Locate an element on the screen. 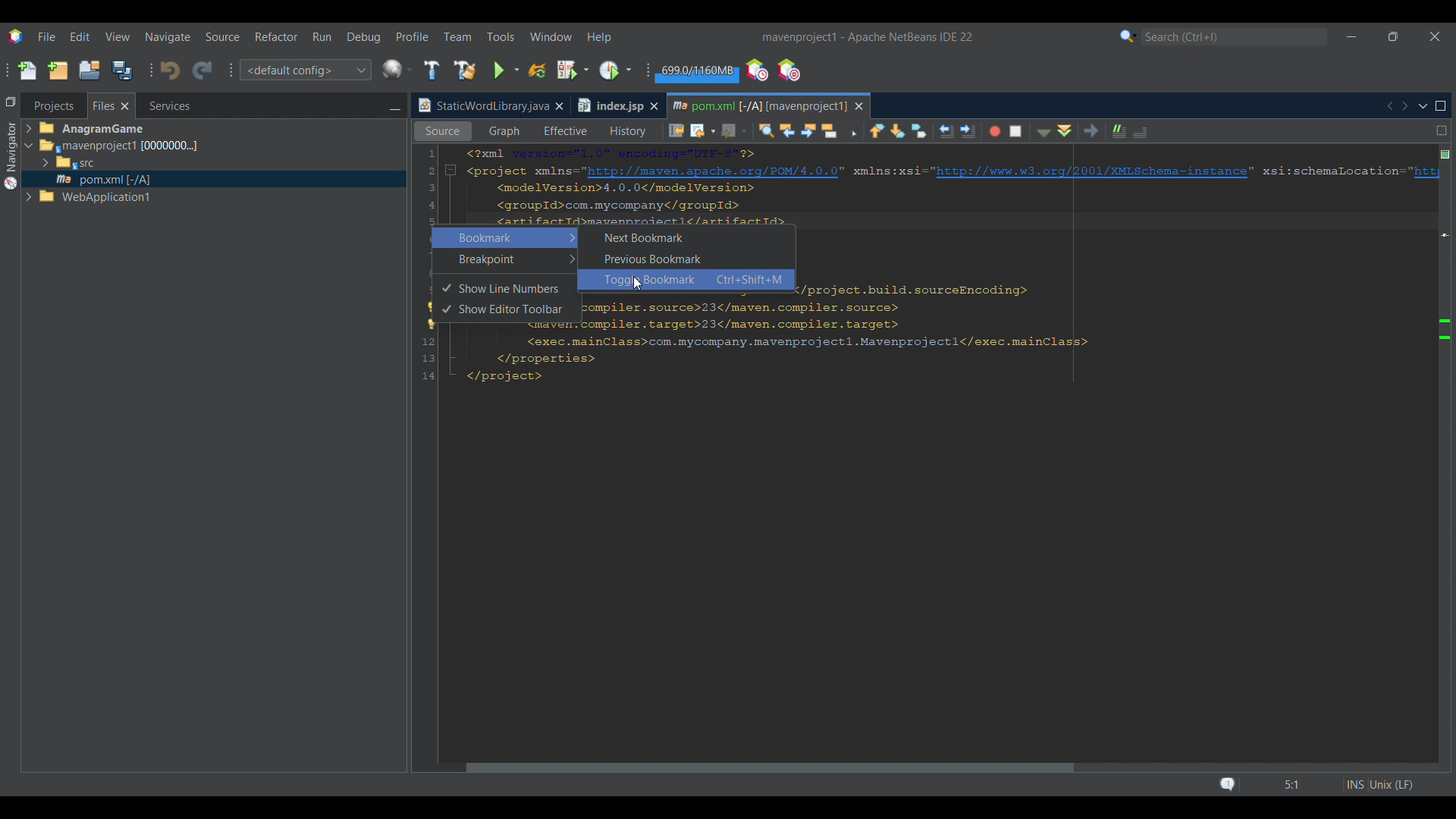 The image size is (1456, 819). Selected file highlighted is located at coordinates (214, 179).